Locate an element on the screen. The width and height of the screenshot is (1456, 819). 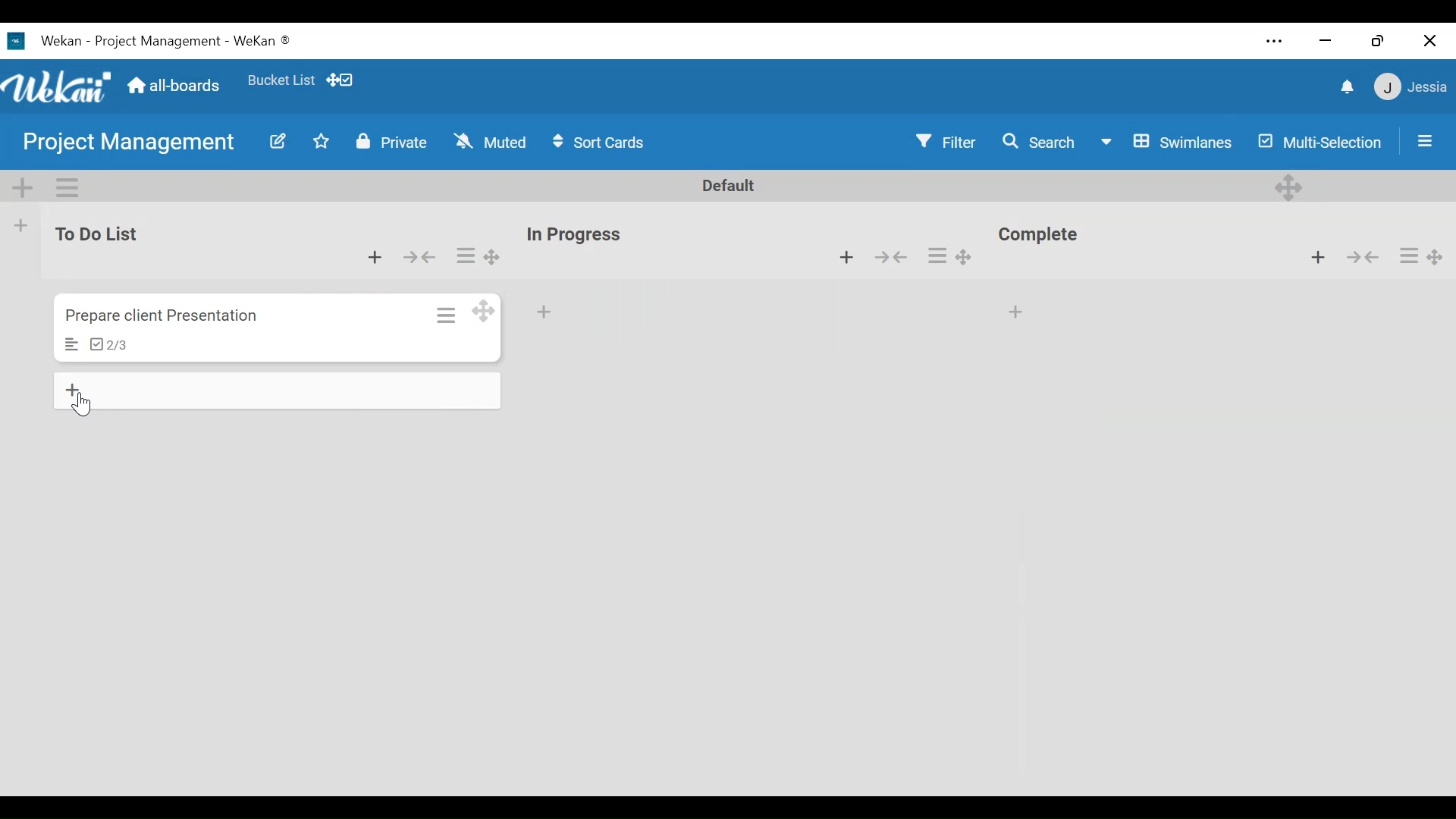
Collapse is located at coordinates (422, 256).